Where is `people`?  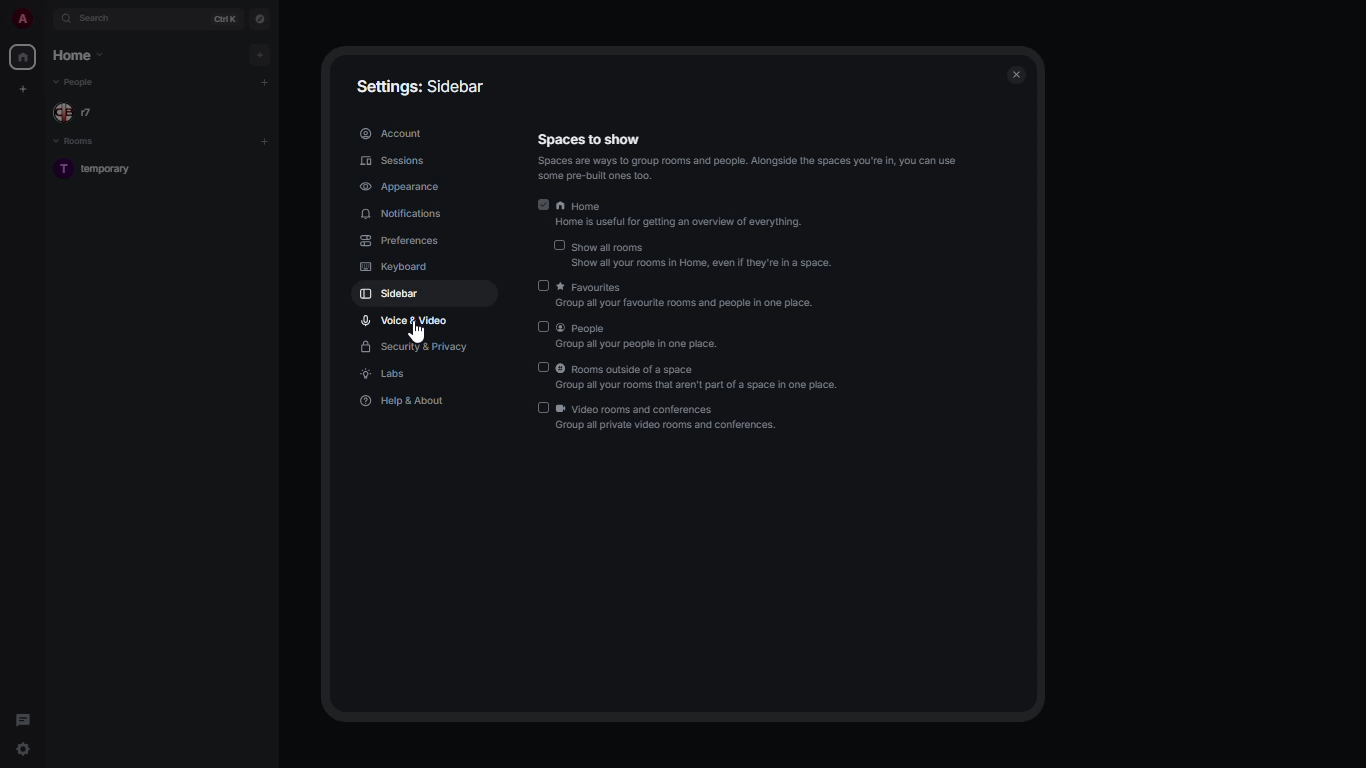
people is located at coordinates (78, 114).